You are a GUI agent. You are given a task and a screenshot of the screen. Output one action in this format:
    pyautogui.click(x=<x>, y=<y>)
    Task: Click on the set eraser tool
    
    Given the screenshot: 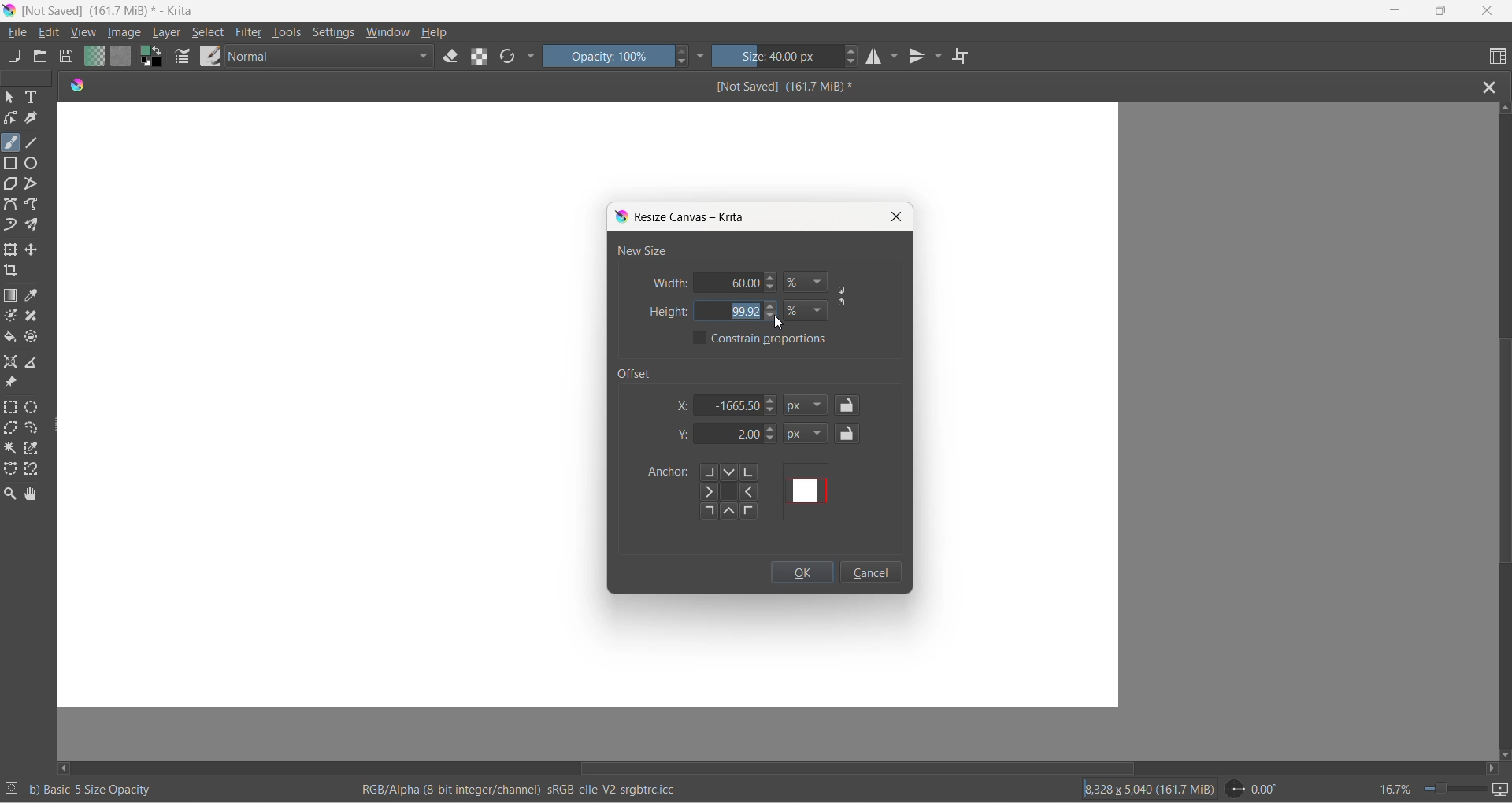 What is the action you would take?
    pyautogui.click(x=451, y=56)
    